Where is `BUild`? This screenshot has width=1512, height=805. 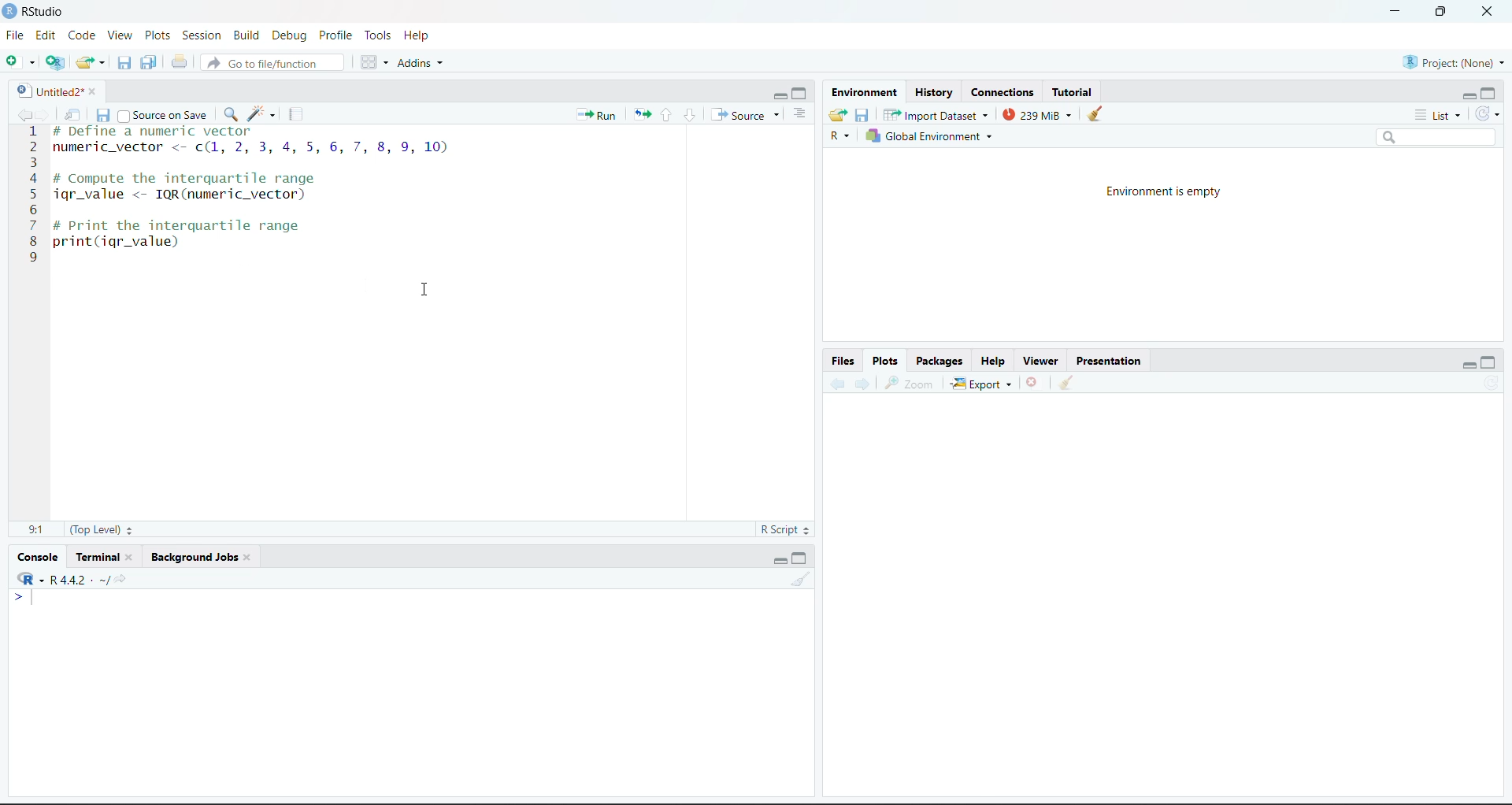
BUild is located at coordinates (250, 34).